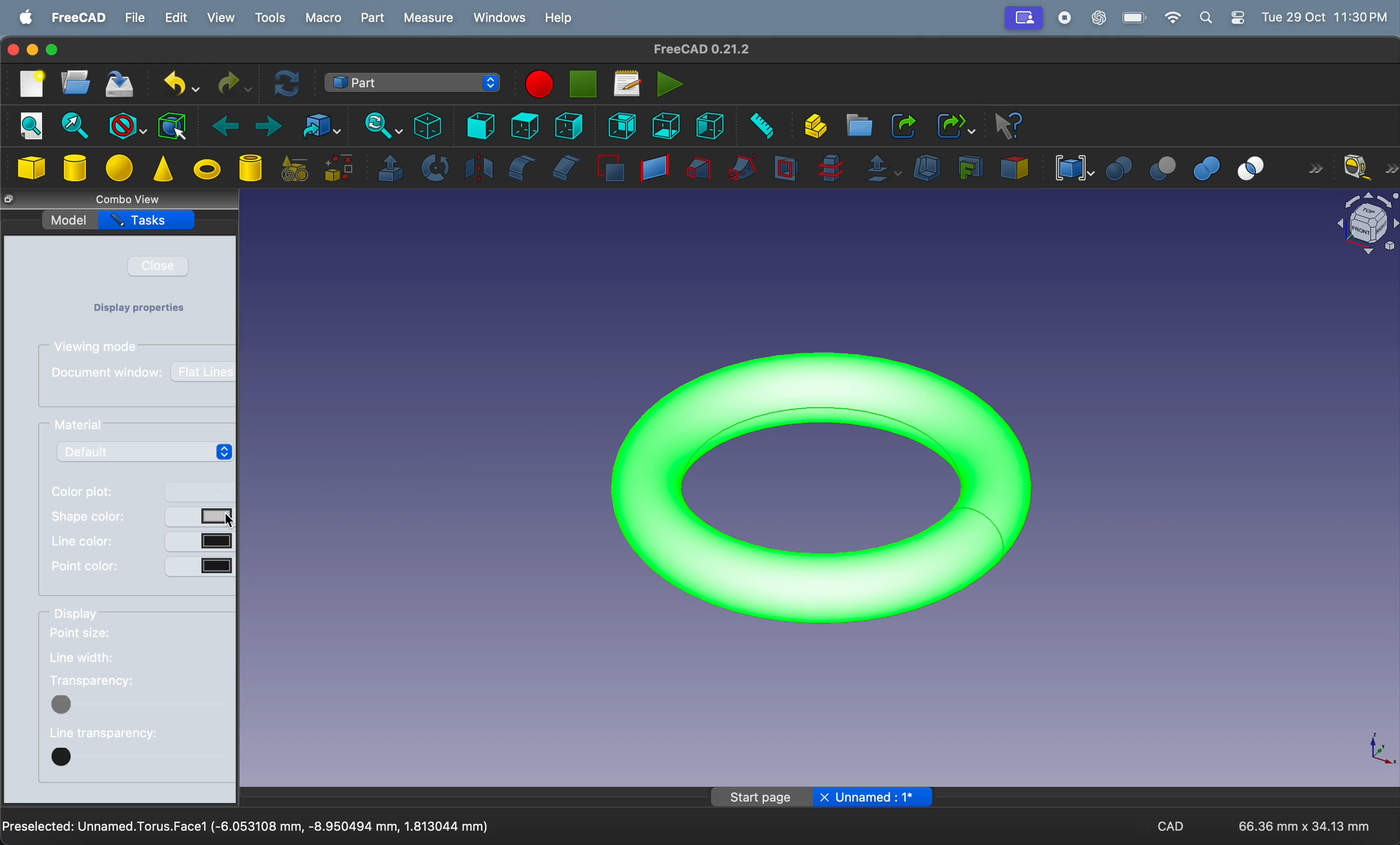  Describe the element at coordinates (413, 83) in the screenshot. I see `switch between work benches` at that location.